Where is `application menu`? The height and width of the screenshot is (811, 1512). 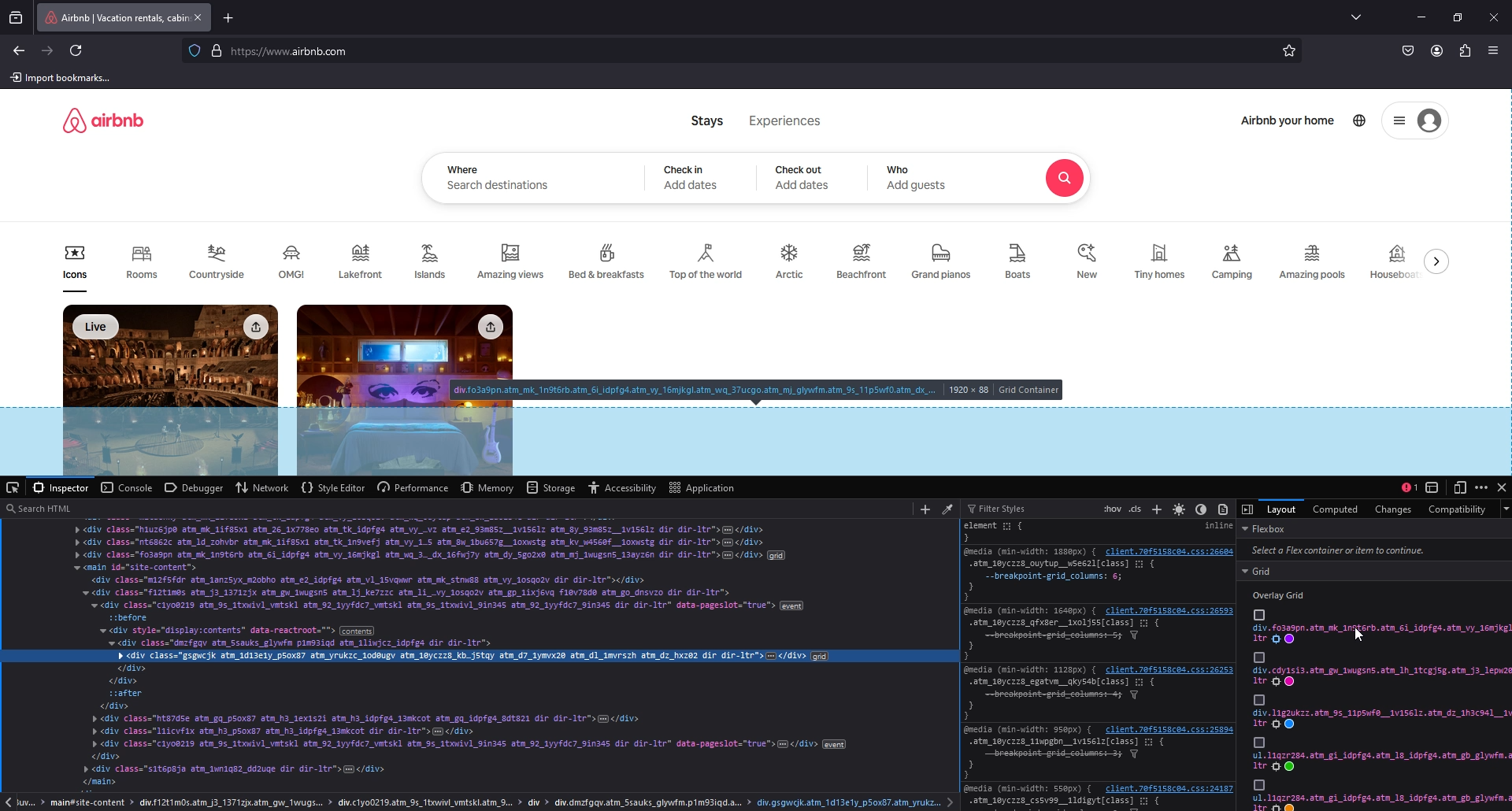
application menu is located at coordinates (1495, 50).